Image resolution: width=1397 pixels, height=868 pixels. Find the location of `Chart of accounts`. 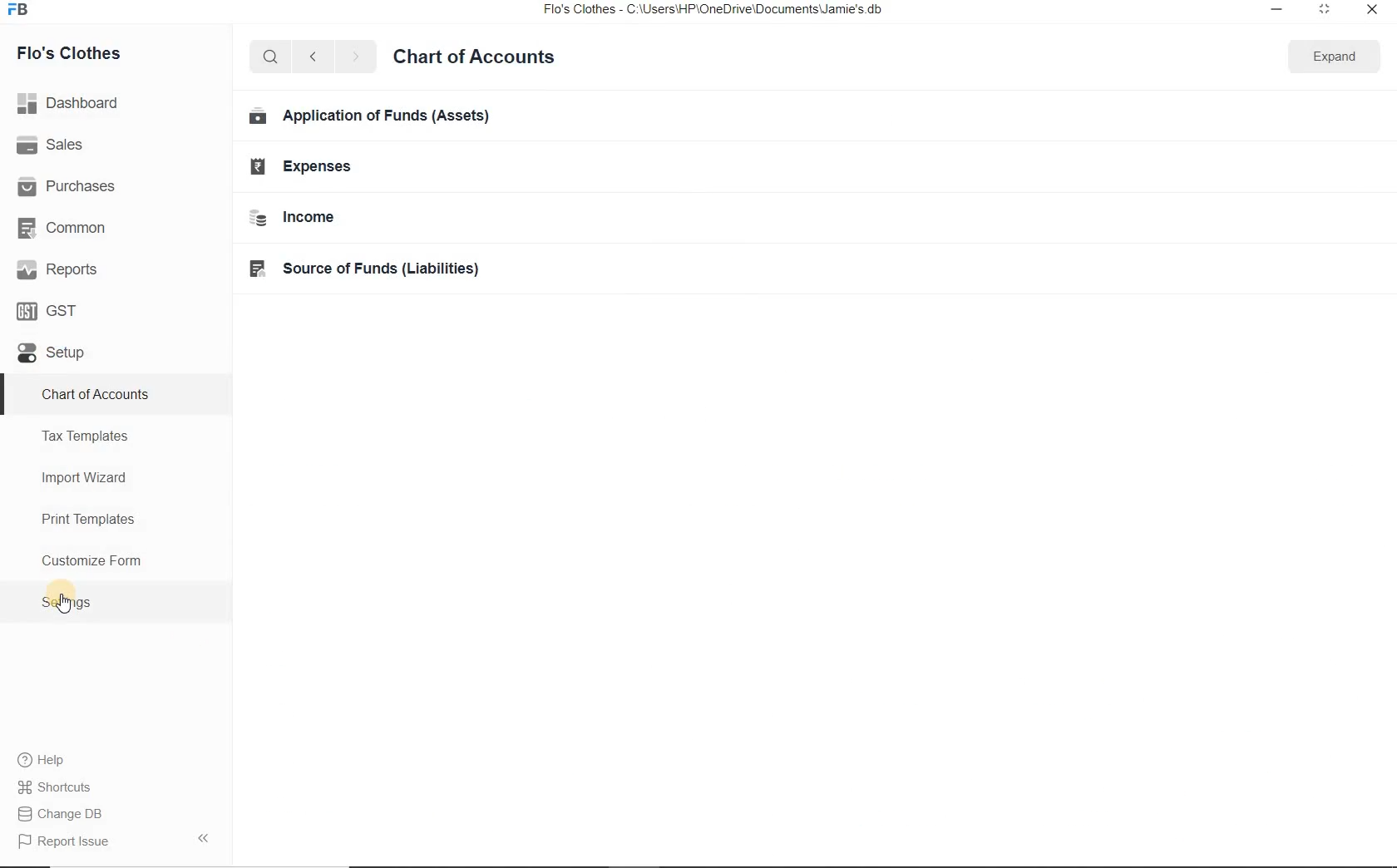

Chart of accounts is located at coordinates (475, 57).